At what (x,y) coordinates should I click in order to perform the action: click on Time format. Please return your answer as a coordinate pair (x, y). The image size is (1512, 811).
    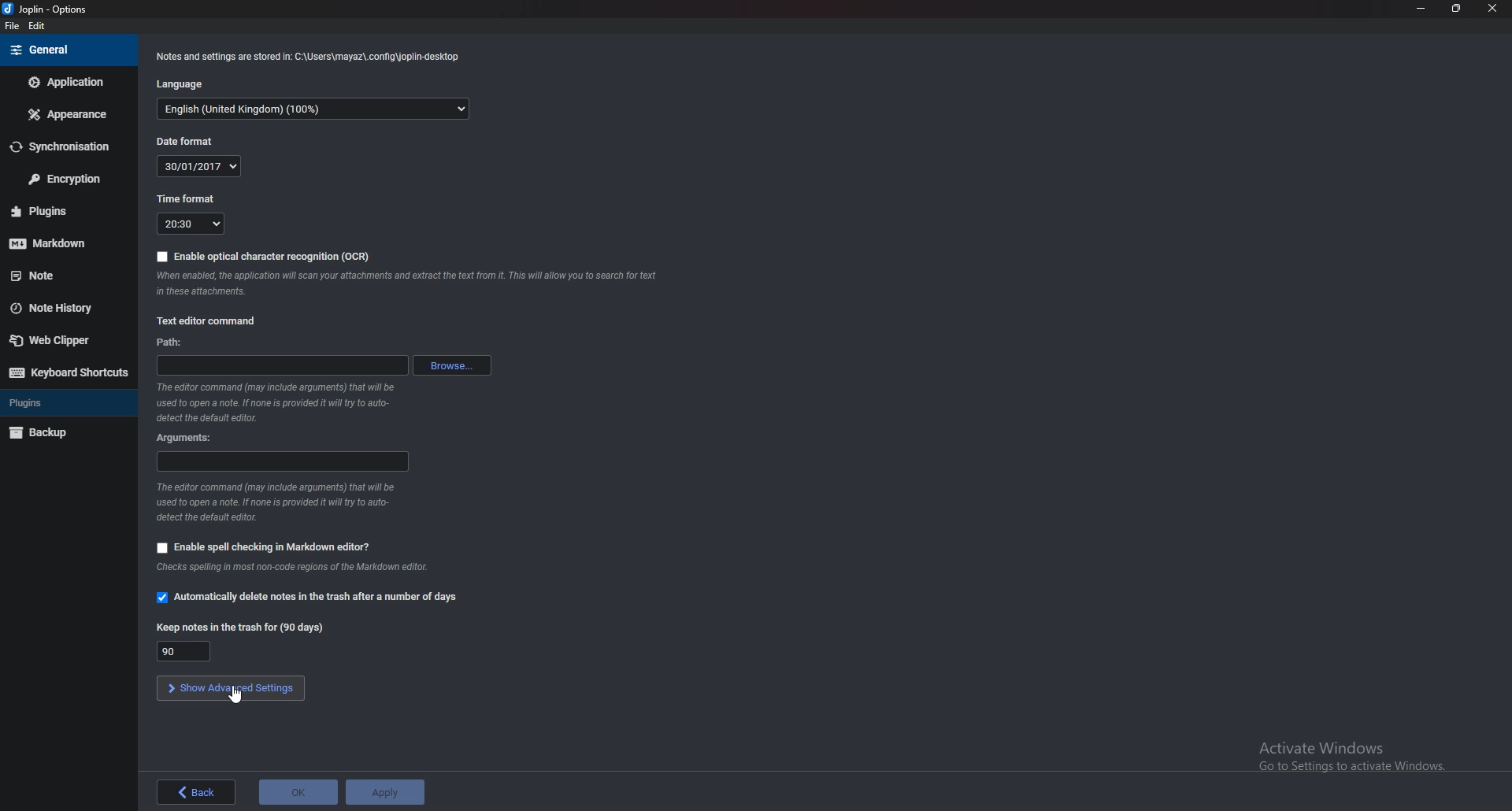
    Looking at the image, I should click on (189, 200).